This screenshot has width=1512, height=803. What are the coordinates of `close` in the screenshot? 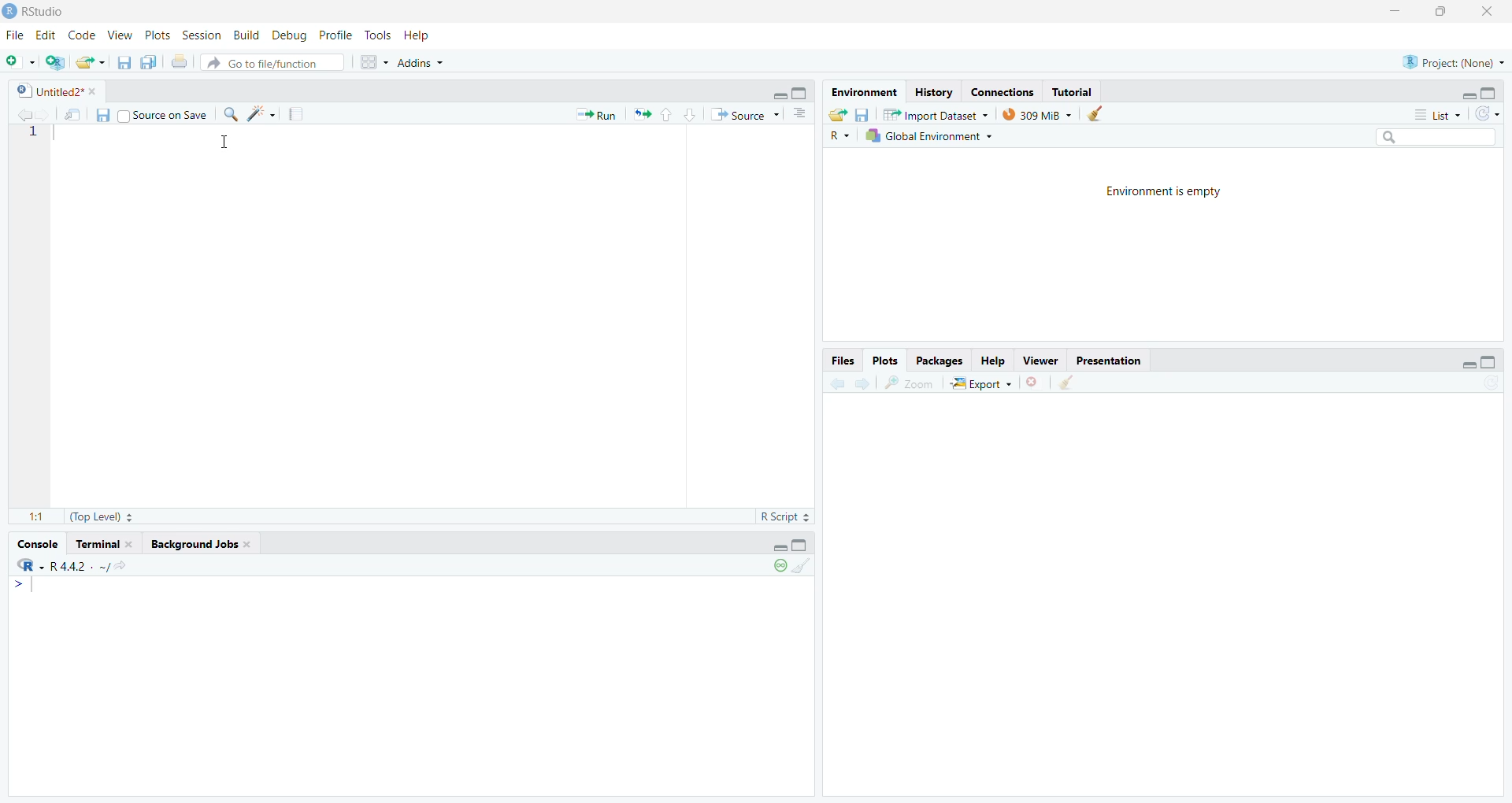 It's located at (1029, 386).